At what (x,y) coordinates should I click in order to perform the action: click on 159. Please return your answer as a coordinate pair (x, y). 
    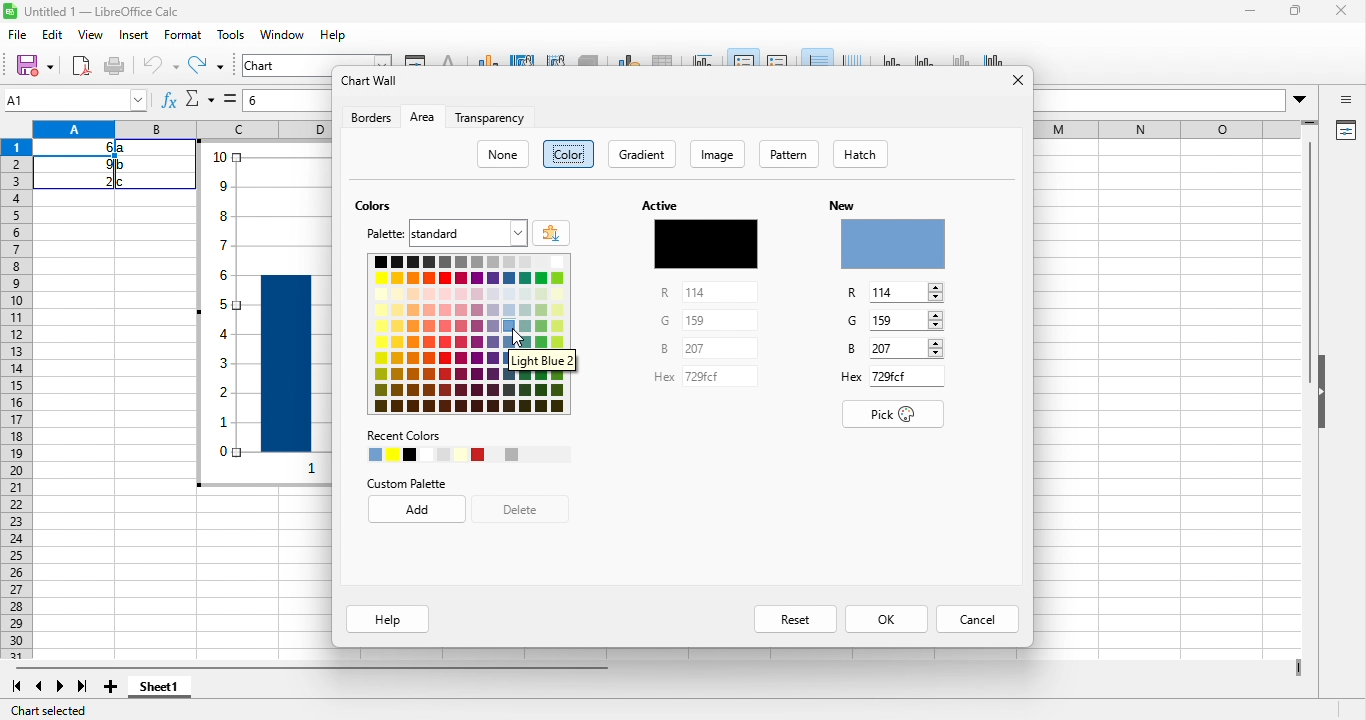
    Looking at the image, I should click on (691, 320).